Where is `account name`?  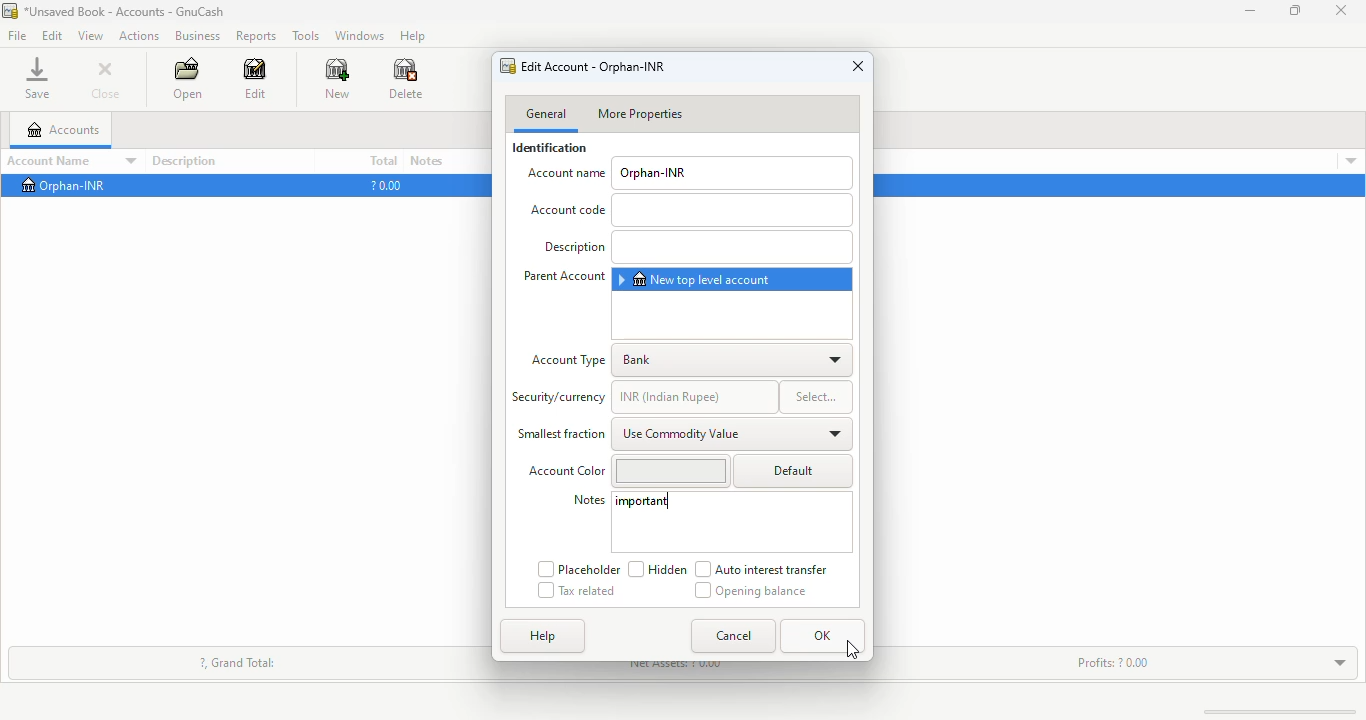
account name is located at coordinates (565, 175).